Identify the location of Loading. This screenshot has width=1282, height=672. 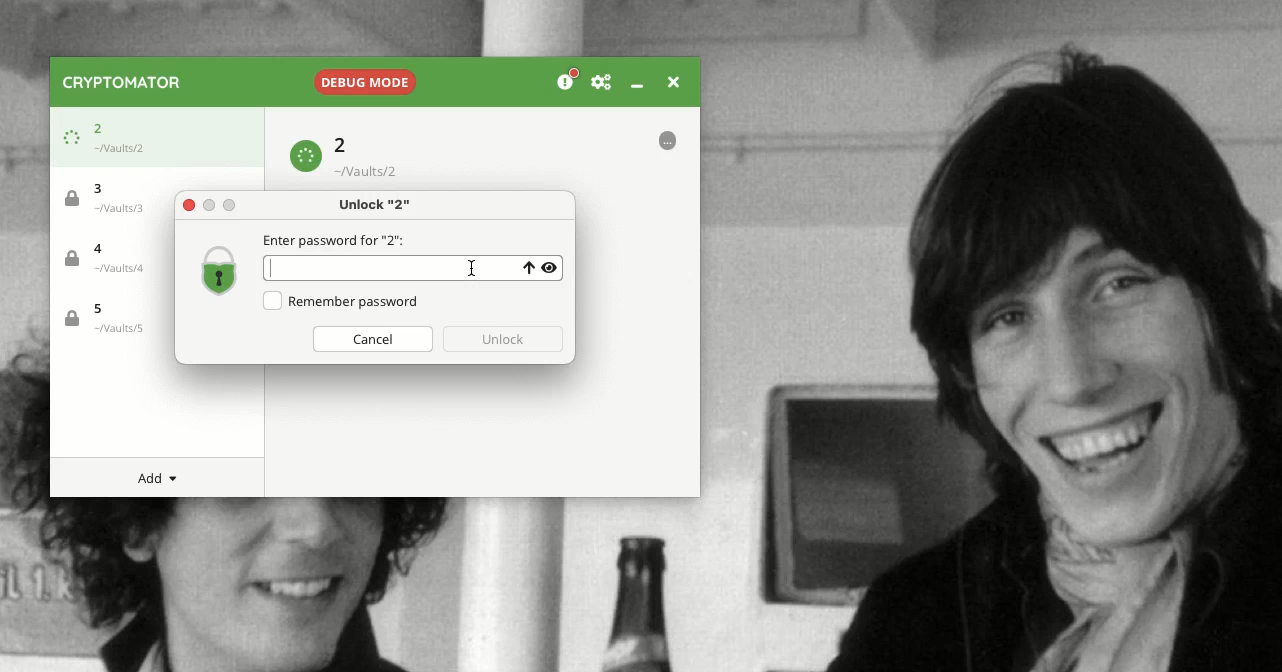
(304, 156).